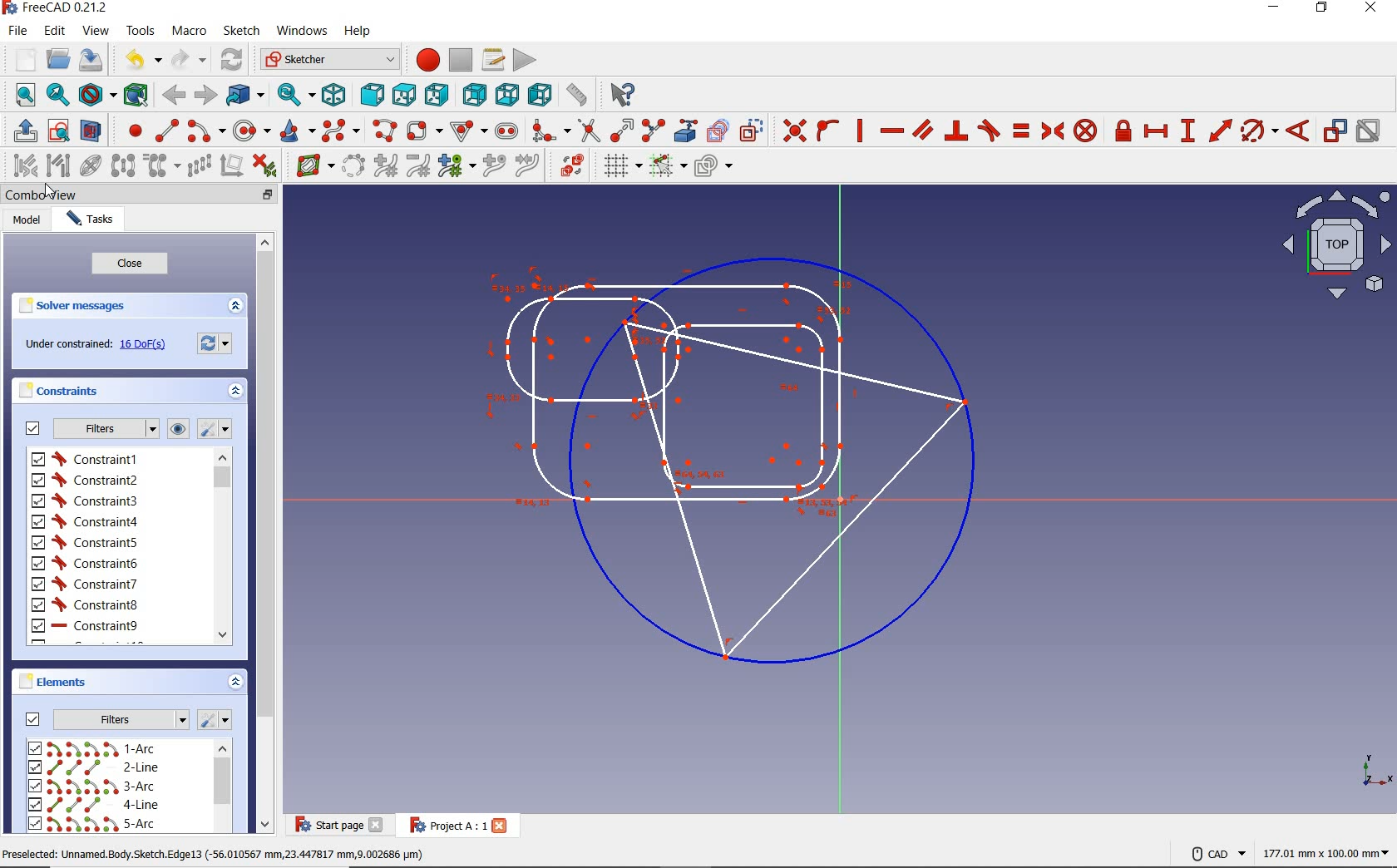  I want to click on forward, so click(205, 94).